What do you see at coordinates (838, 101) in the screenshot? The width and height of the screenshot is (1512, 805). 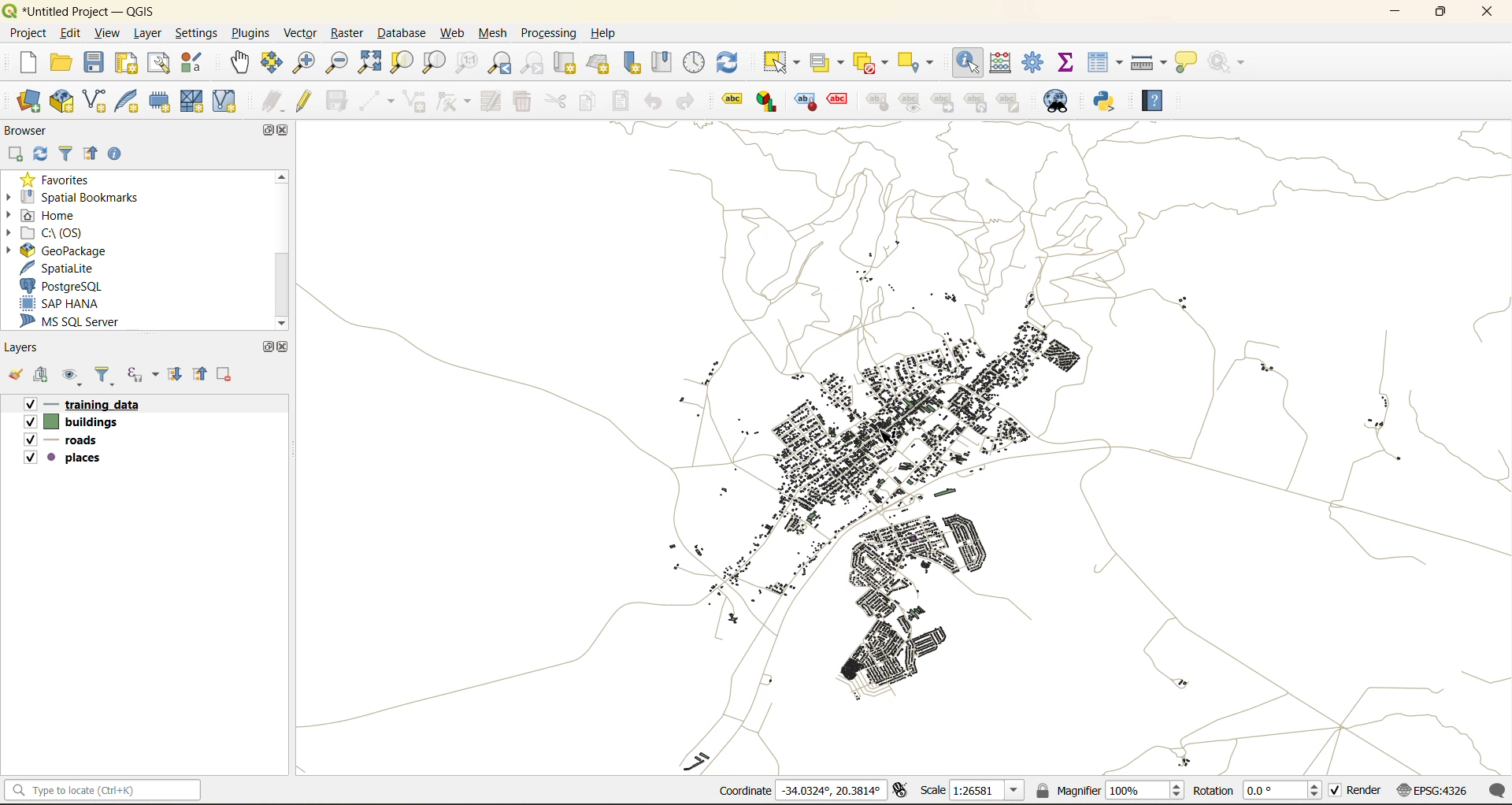 I see `effect` at bounding box center [838, 101].